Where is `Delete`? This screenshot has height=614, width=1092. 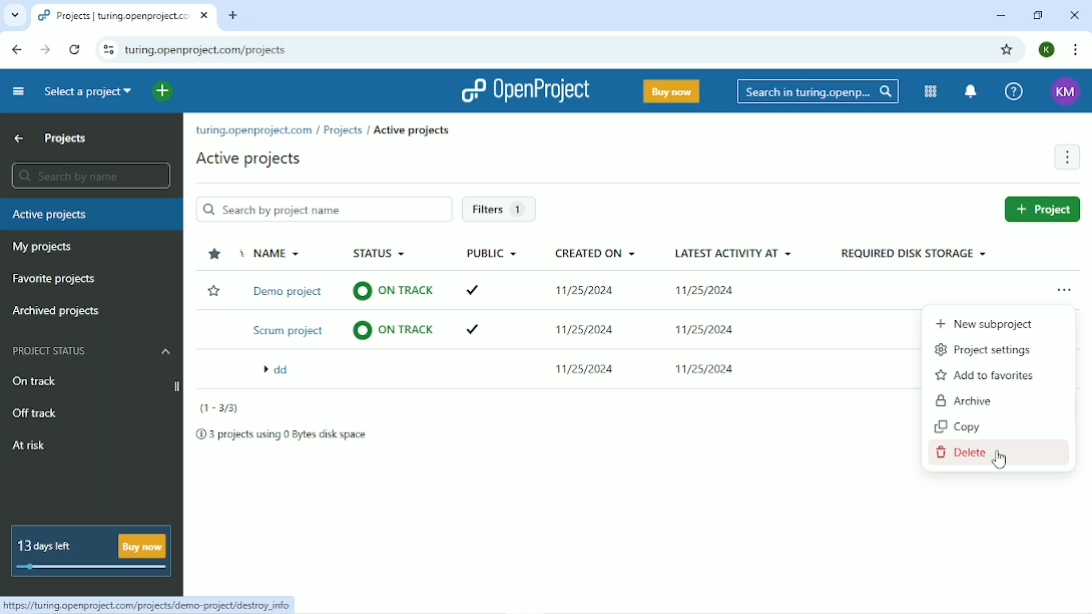
Delete is located at coordinates (974, 454).